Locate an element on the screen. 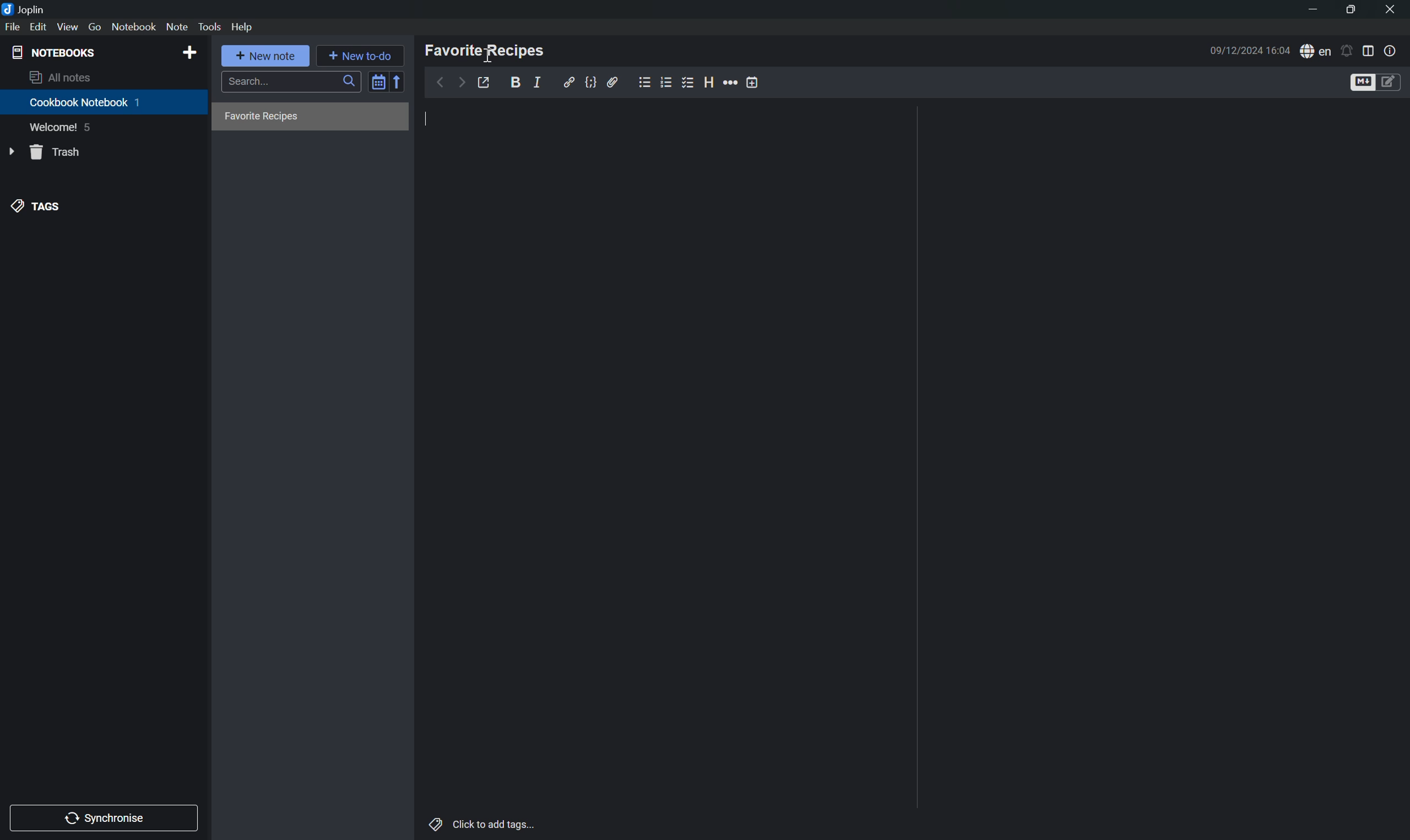  Search is located at coordinates (290, 82).